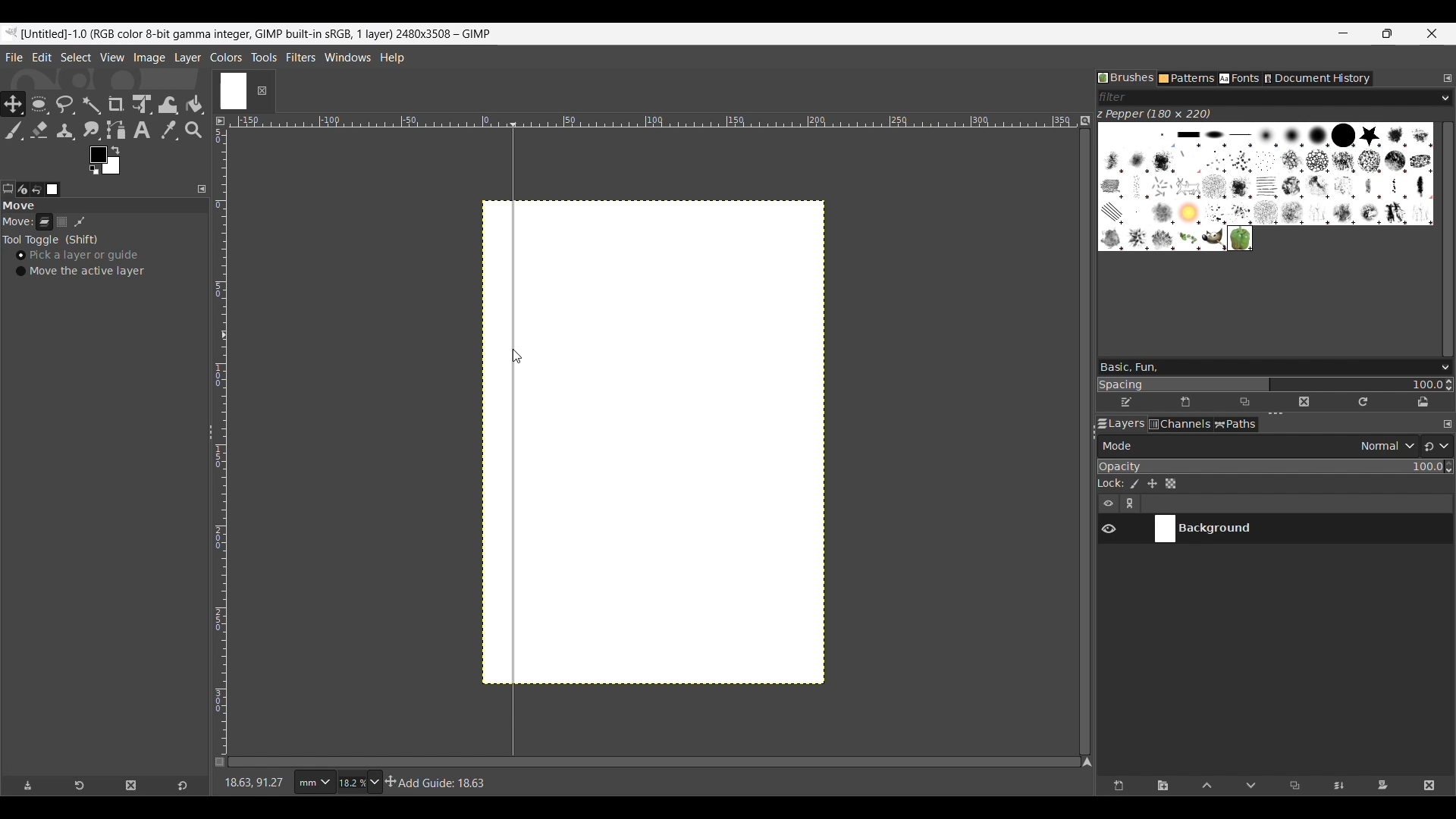  Describe the element at coordinates (76, 57) in the screenshot. I see `Select menu` at that location.